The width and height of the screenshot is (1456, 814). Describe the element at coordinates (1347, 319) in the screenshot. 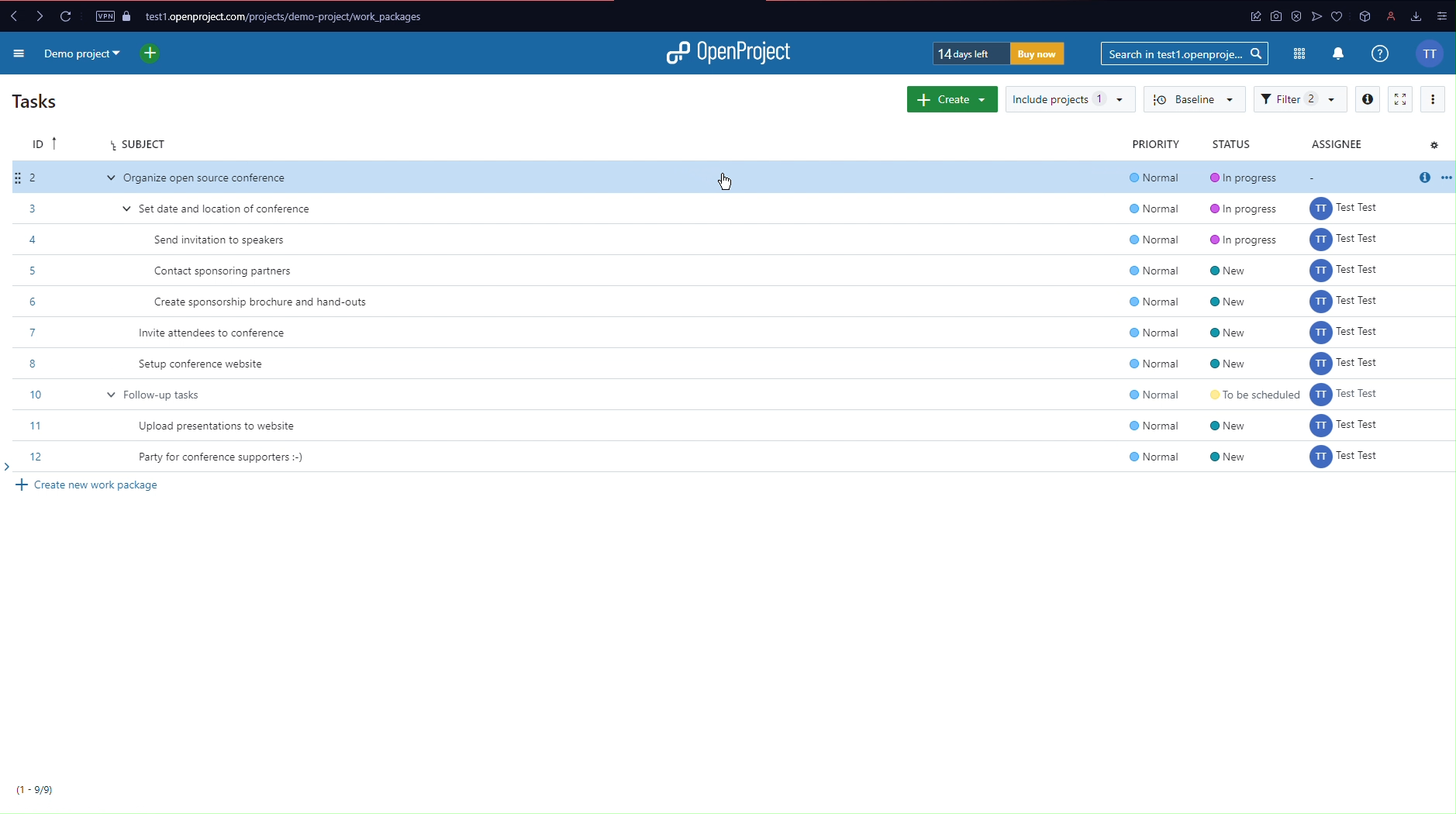

I see `assignee names` at that location.